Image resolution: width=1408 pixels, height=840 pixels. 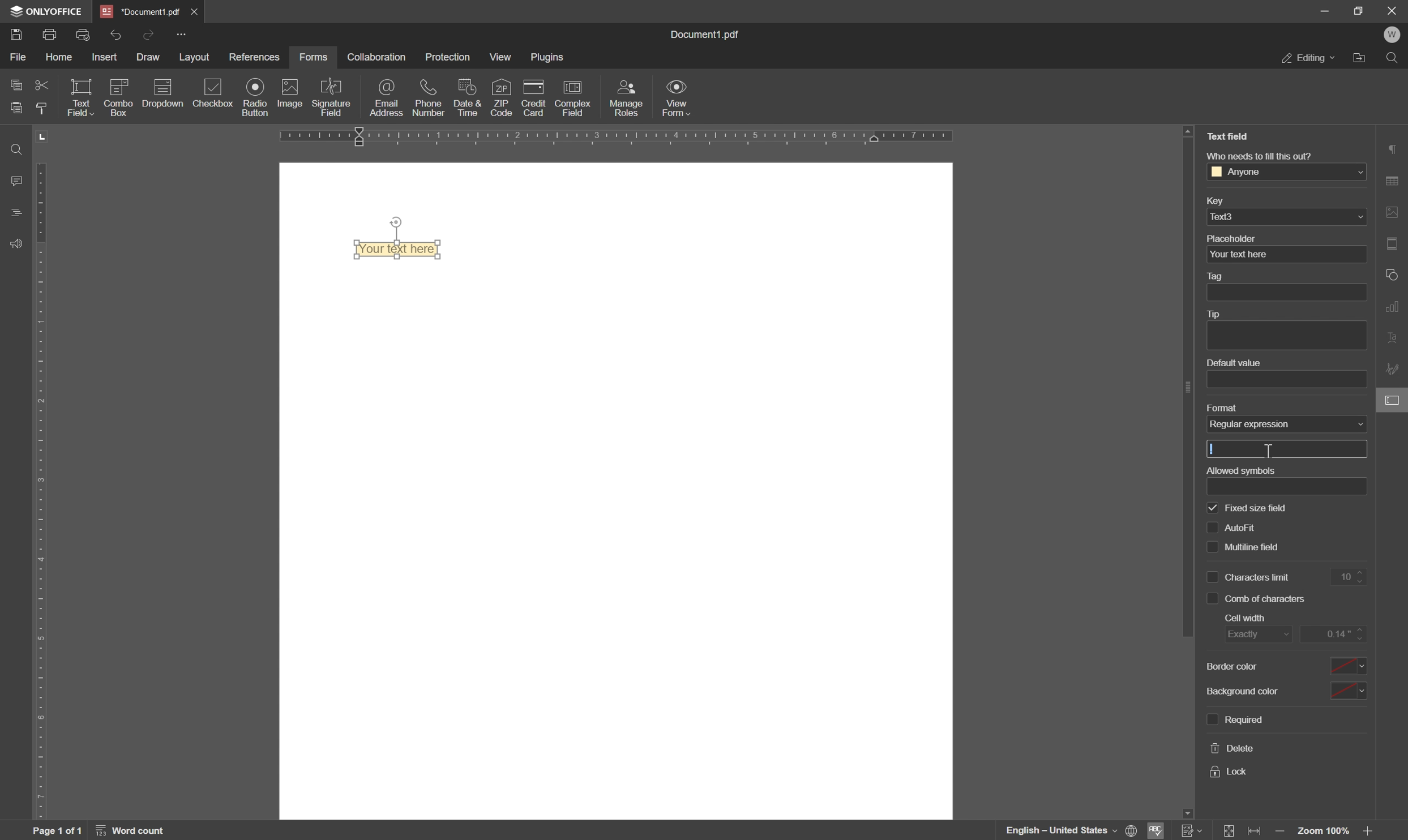 What do you see at coordinates (1268, 599) in the screenshot?
I see `comb of characters` at bounding box center [1268, 599].